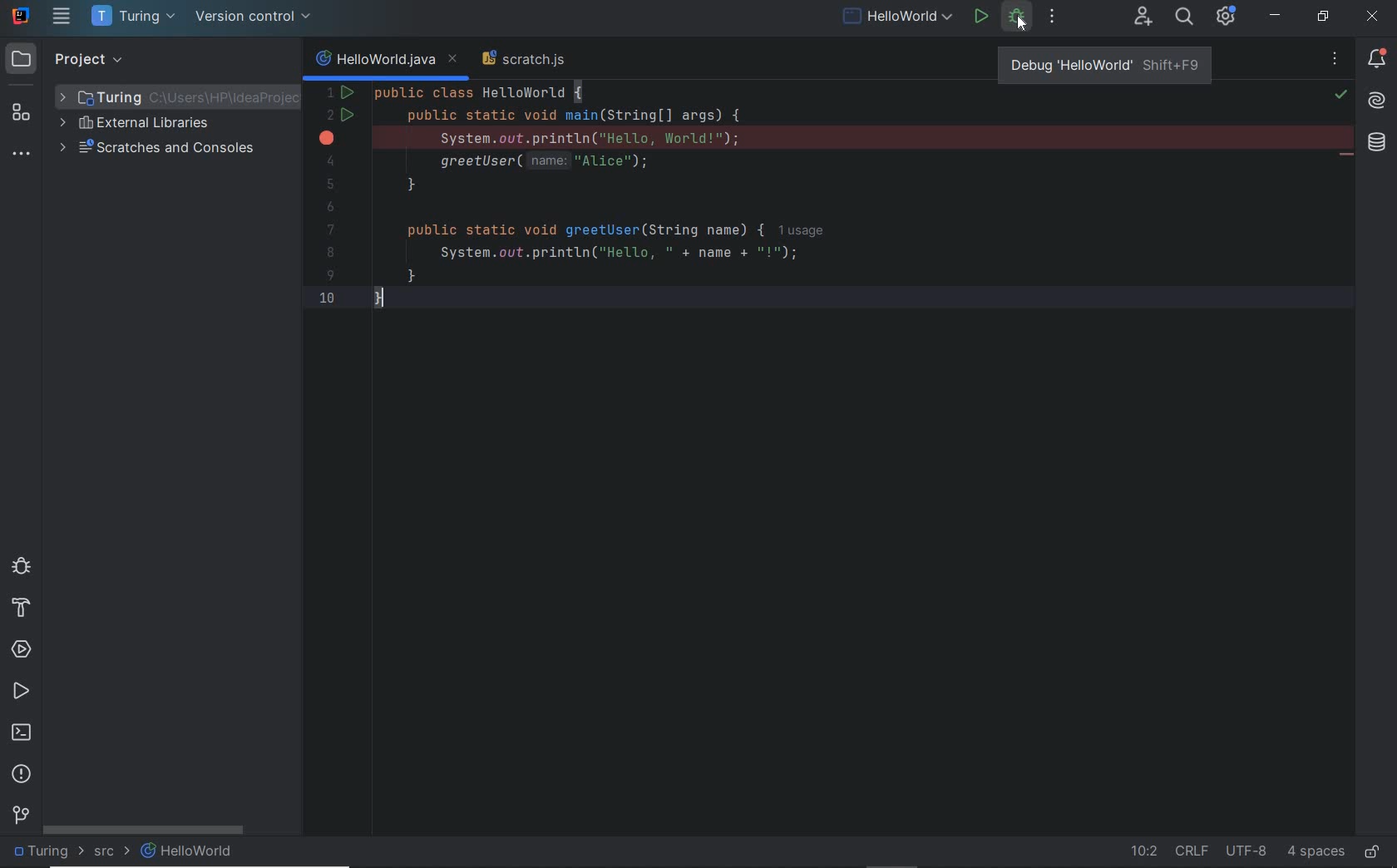 This screenshot has height=868, width=1397. I want to click on indent, so click(1316, 851).